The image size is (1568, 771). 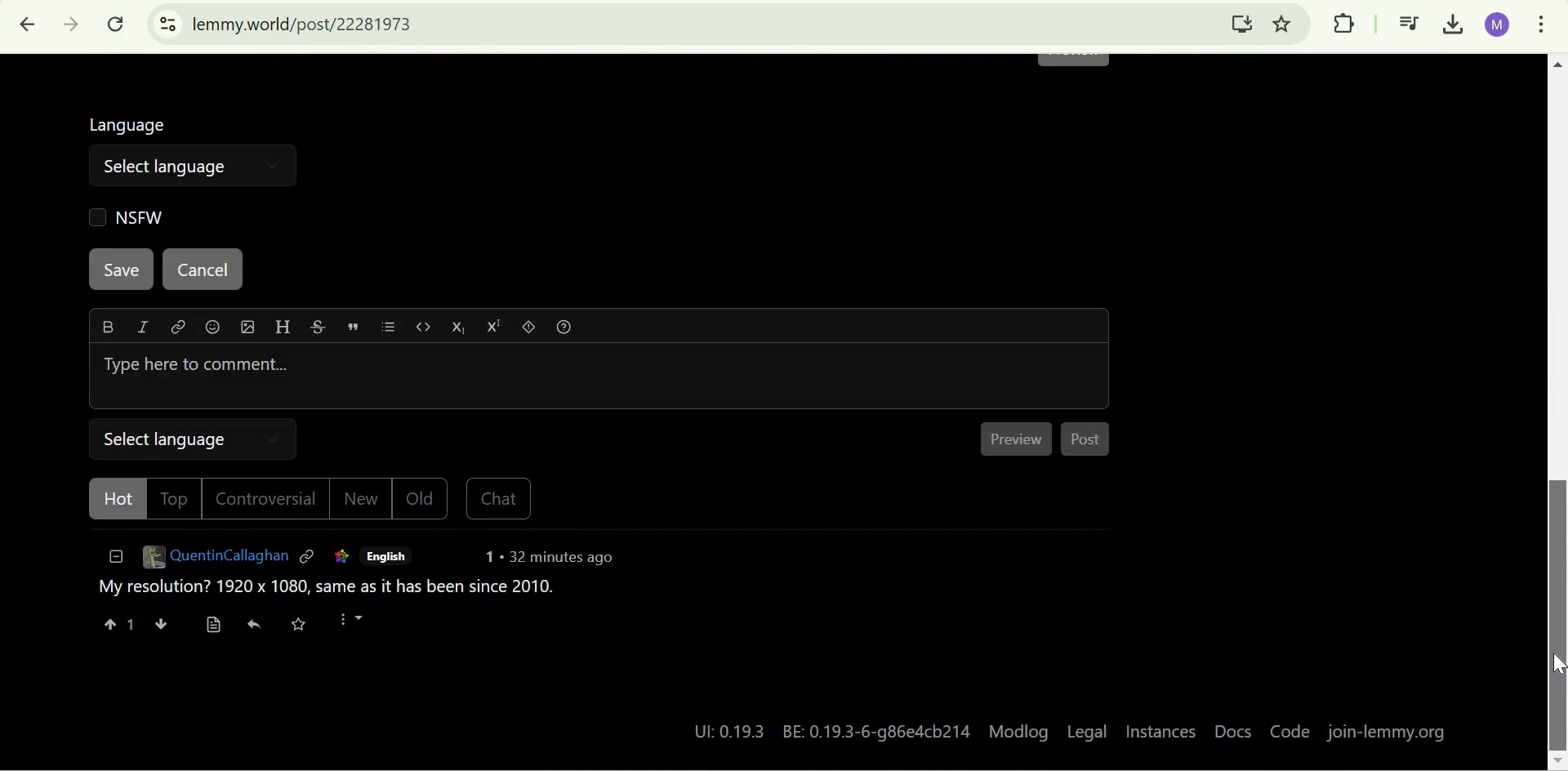 What do you see at coordinates (1343, 23) in the screenshot?
I see `Extensions` at bounding box center [1343, 23].